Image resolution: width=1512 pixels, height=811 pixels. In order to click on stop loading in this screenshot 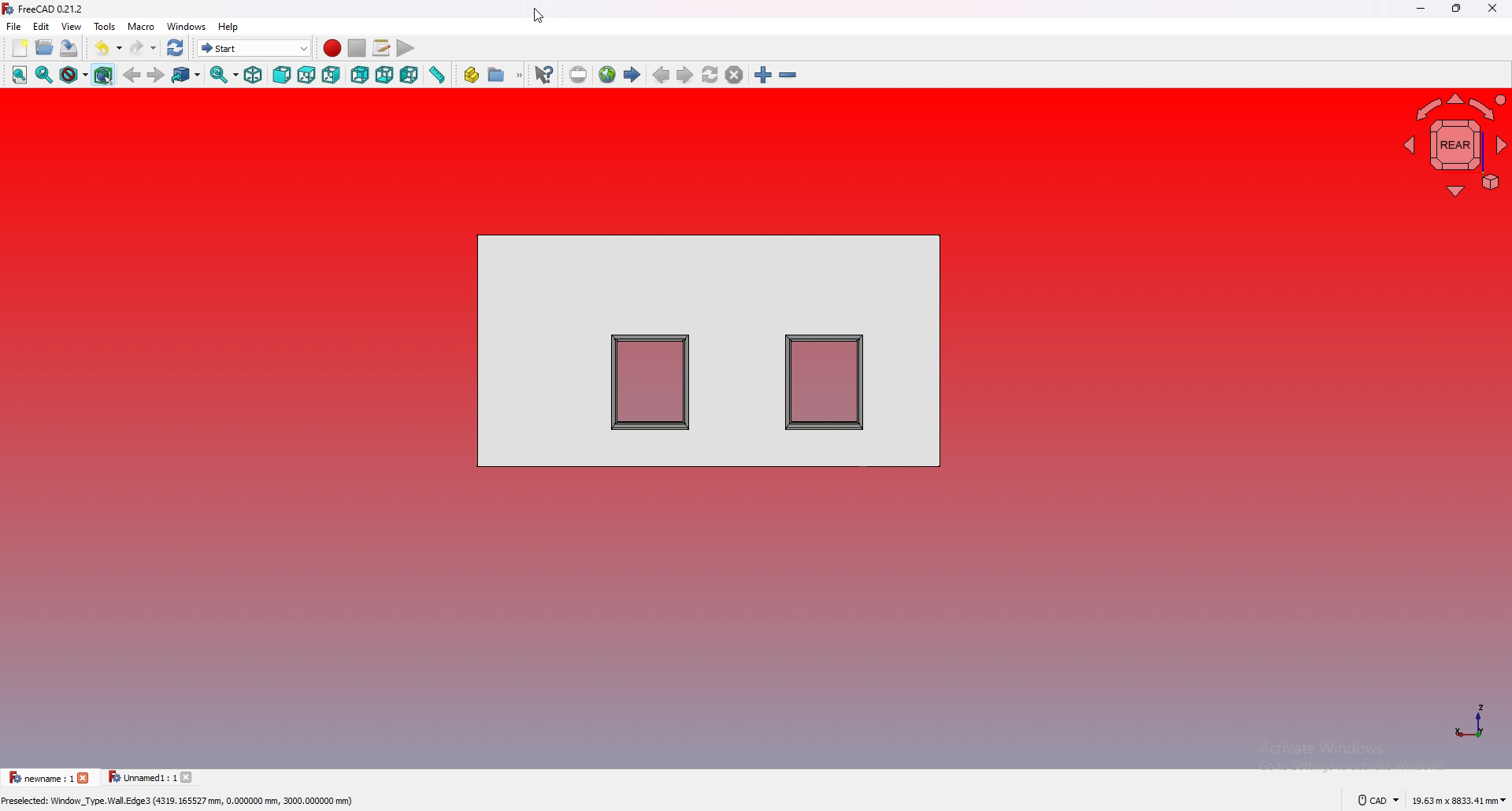, I will do `click(735, 75)`.